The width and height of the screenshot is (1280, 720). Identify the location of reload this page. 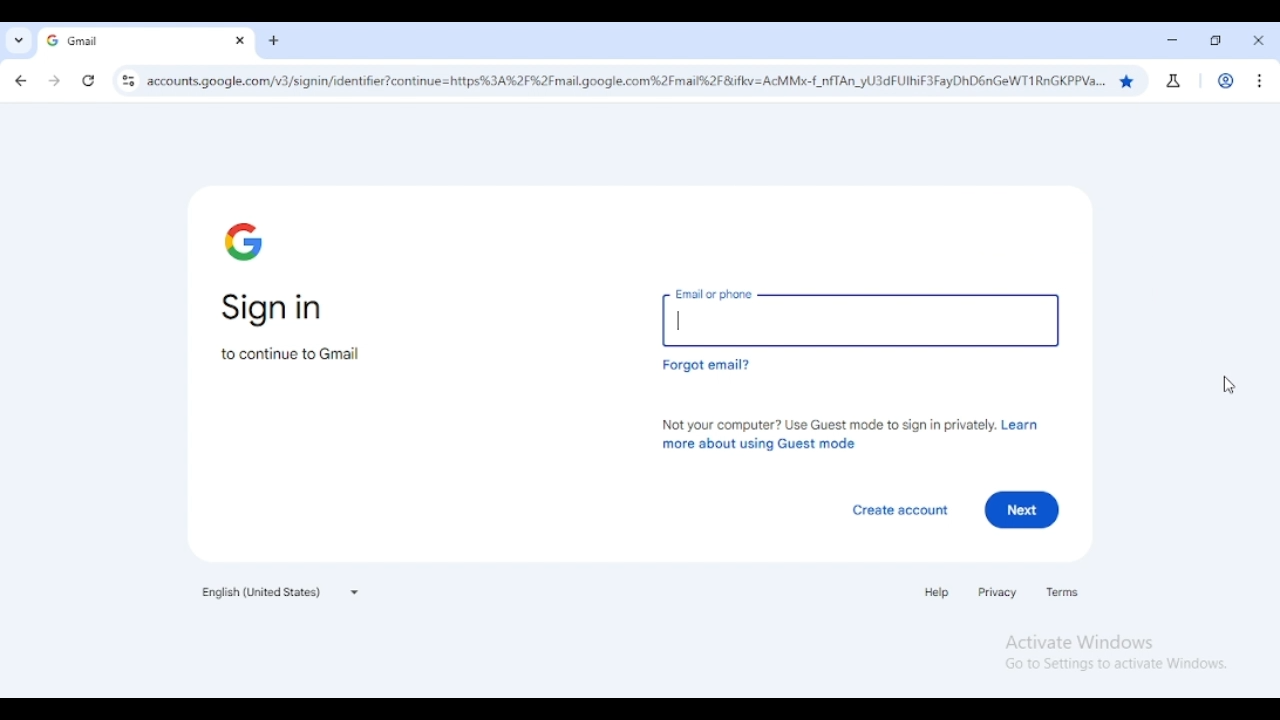
(89, 81).